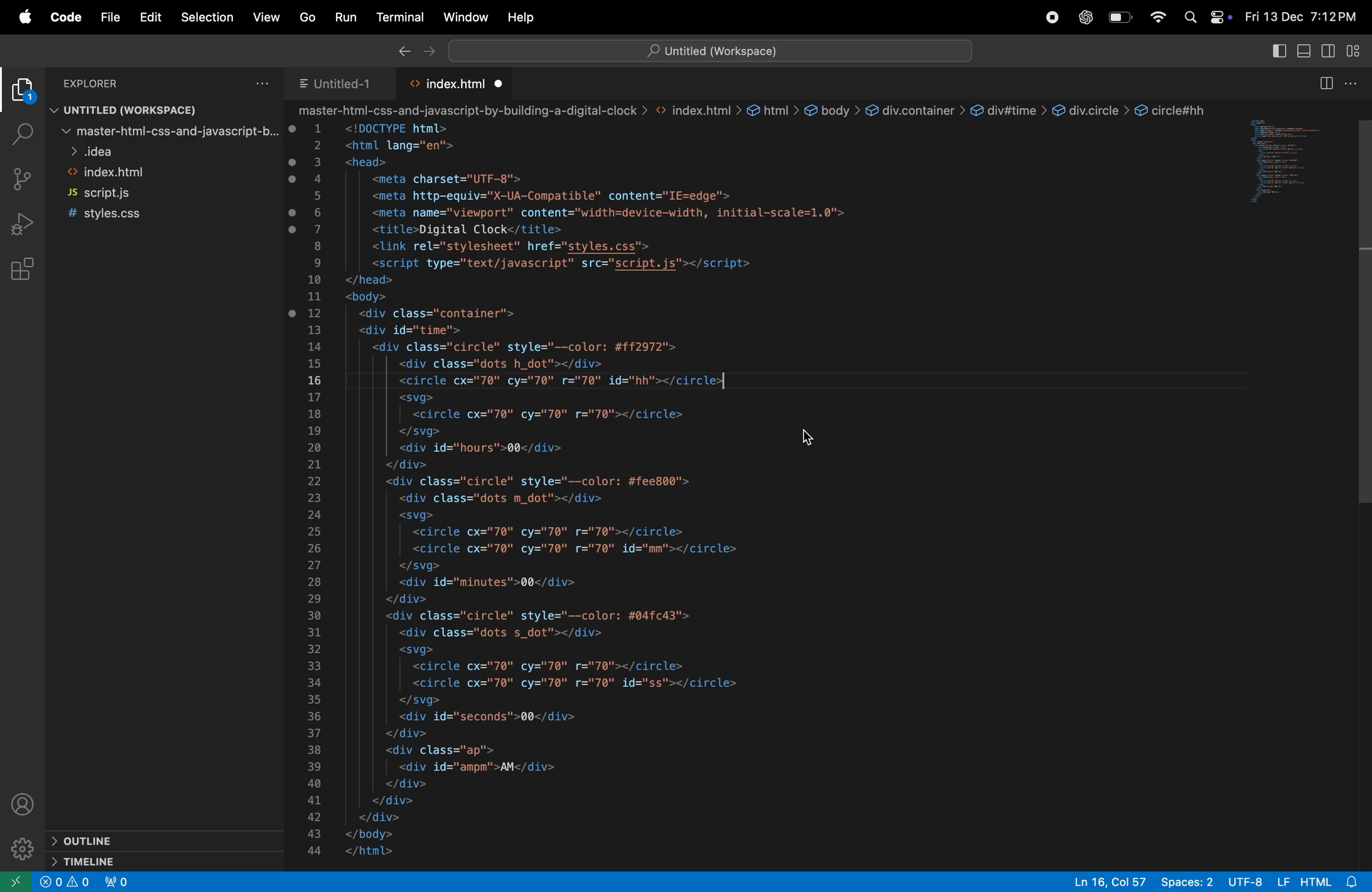 The height and width of the screenshot is (892, 1372). What do you see at coordinates (17, 882) in the screenshot?
I see `open remote window` at bounding box center [17, 882].